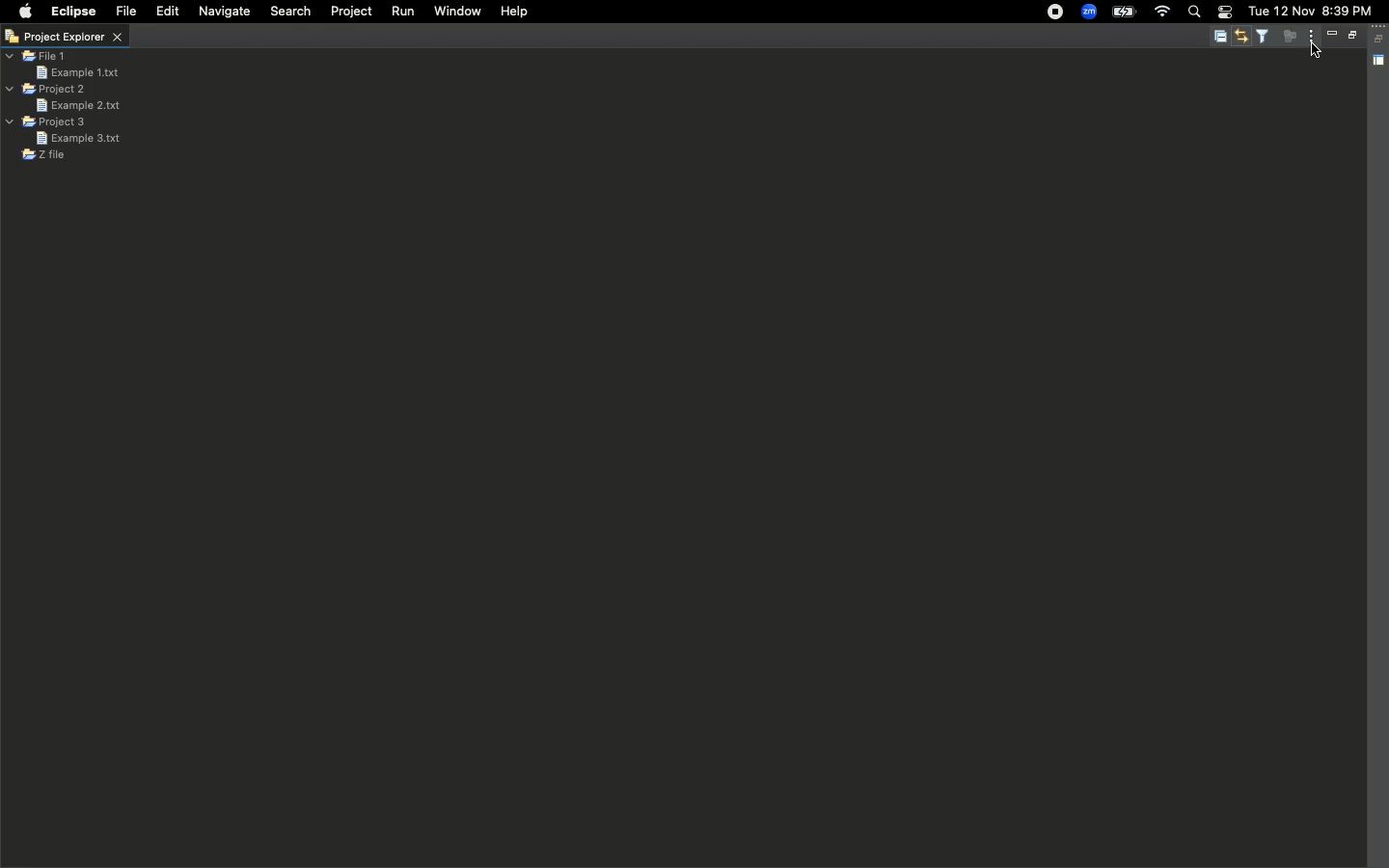 This screenshot has width=1389, height=868. I want to click on Project 3, so click(48, 122).